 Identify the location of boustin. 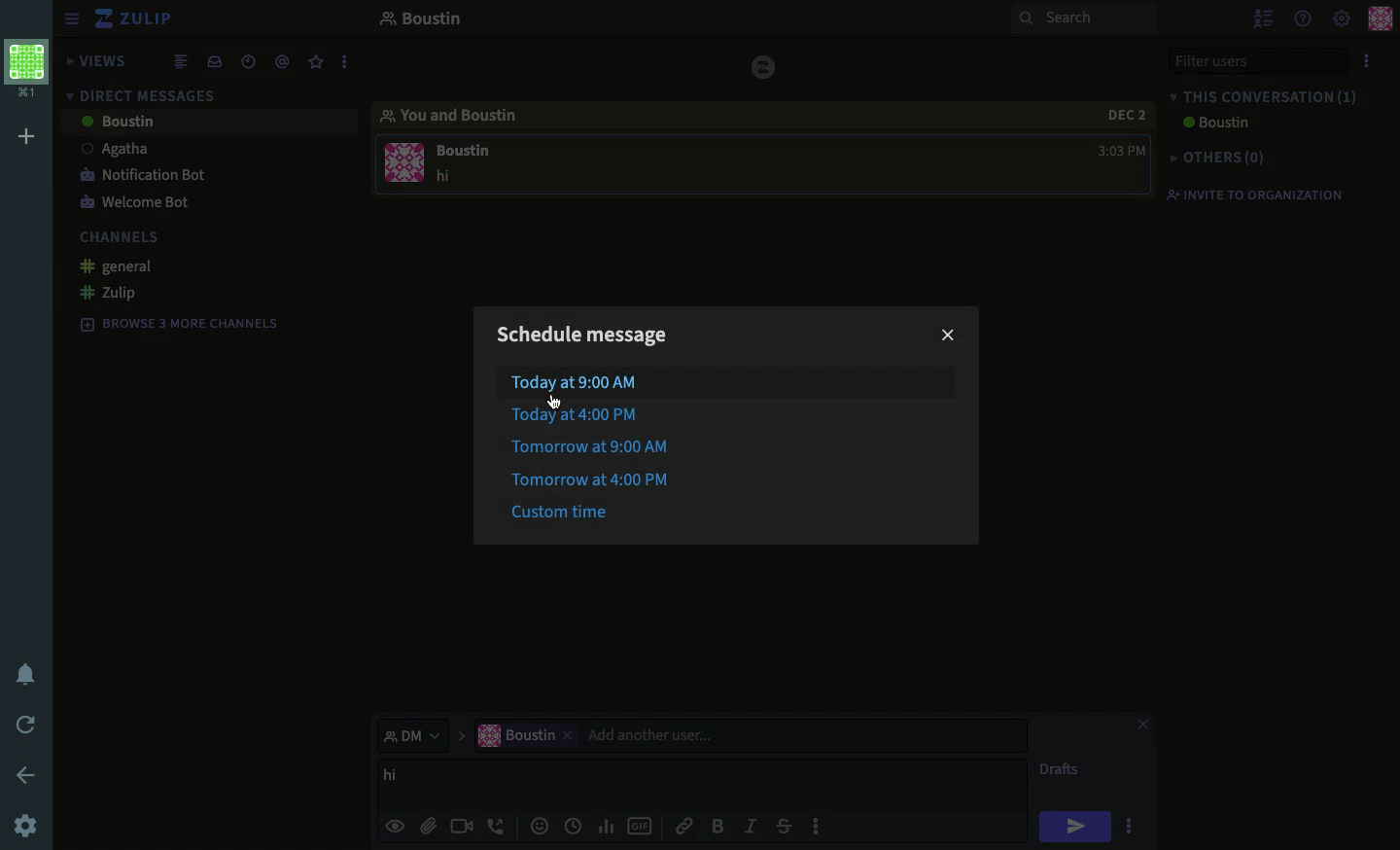
(433, 16).